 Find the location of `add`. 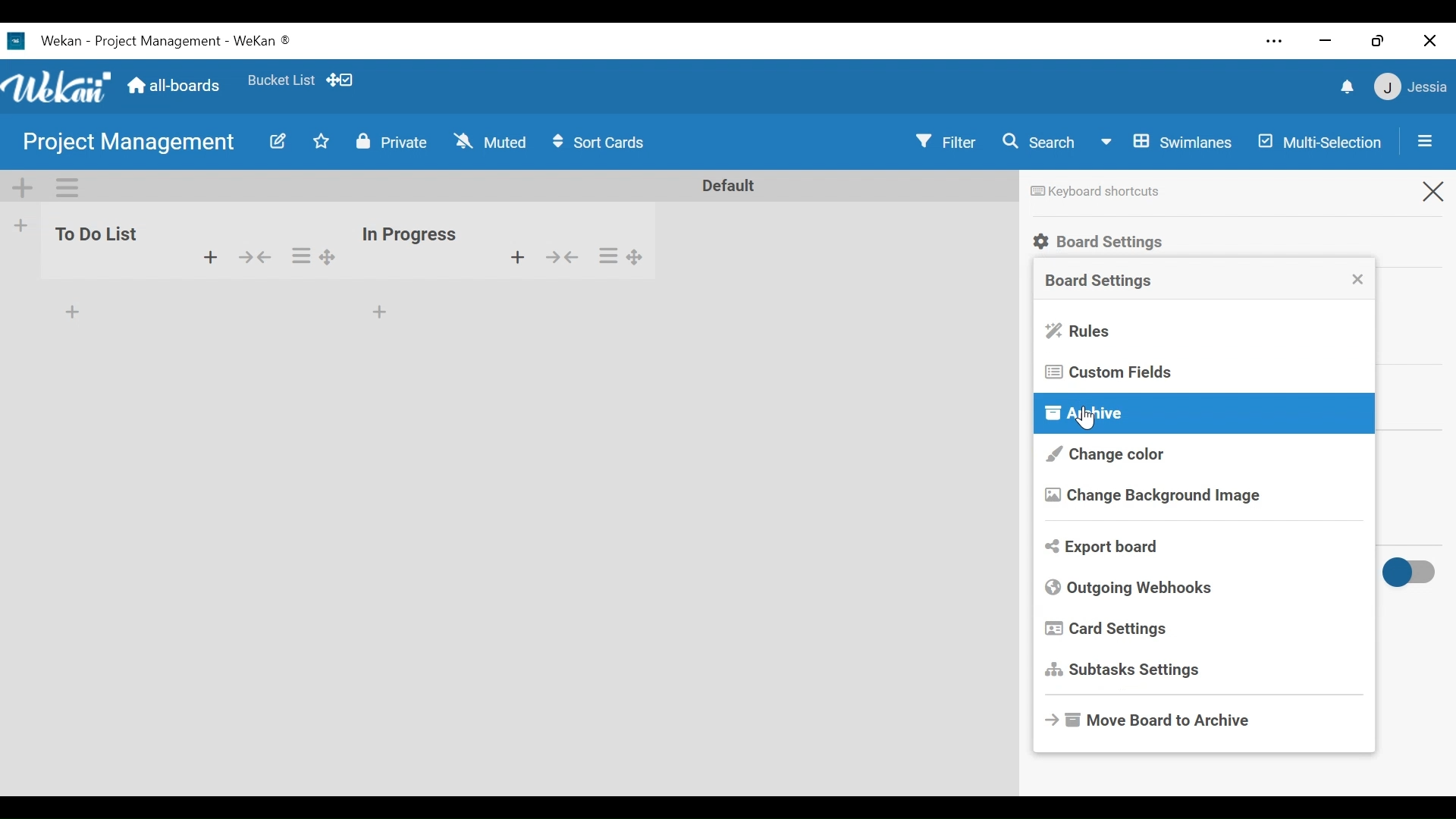

add is located at coordinates (379, 316).